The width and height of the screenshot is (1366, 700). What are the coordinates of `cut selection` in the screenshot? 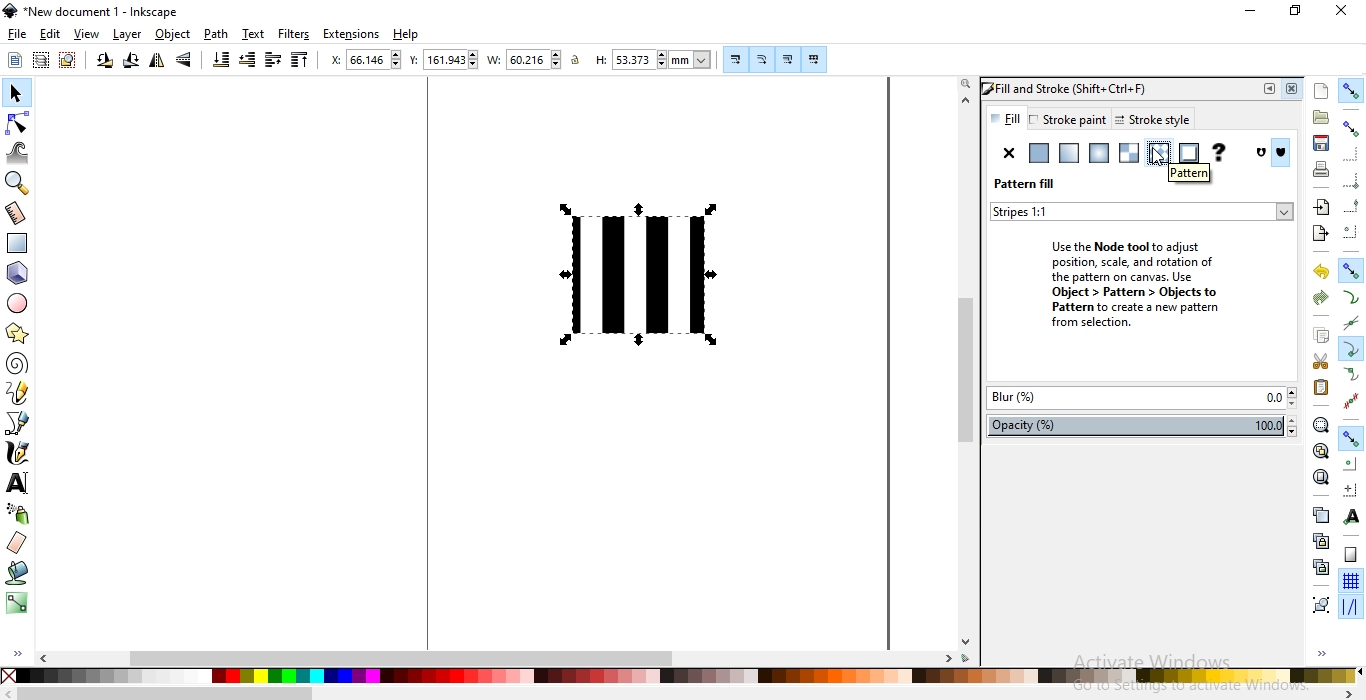 It's located at (1318, 362).